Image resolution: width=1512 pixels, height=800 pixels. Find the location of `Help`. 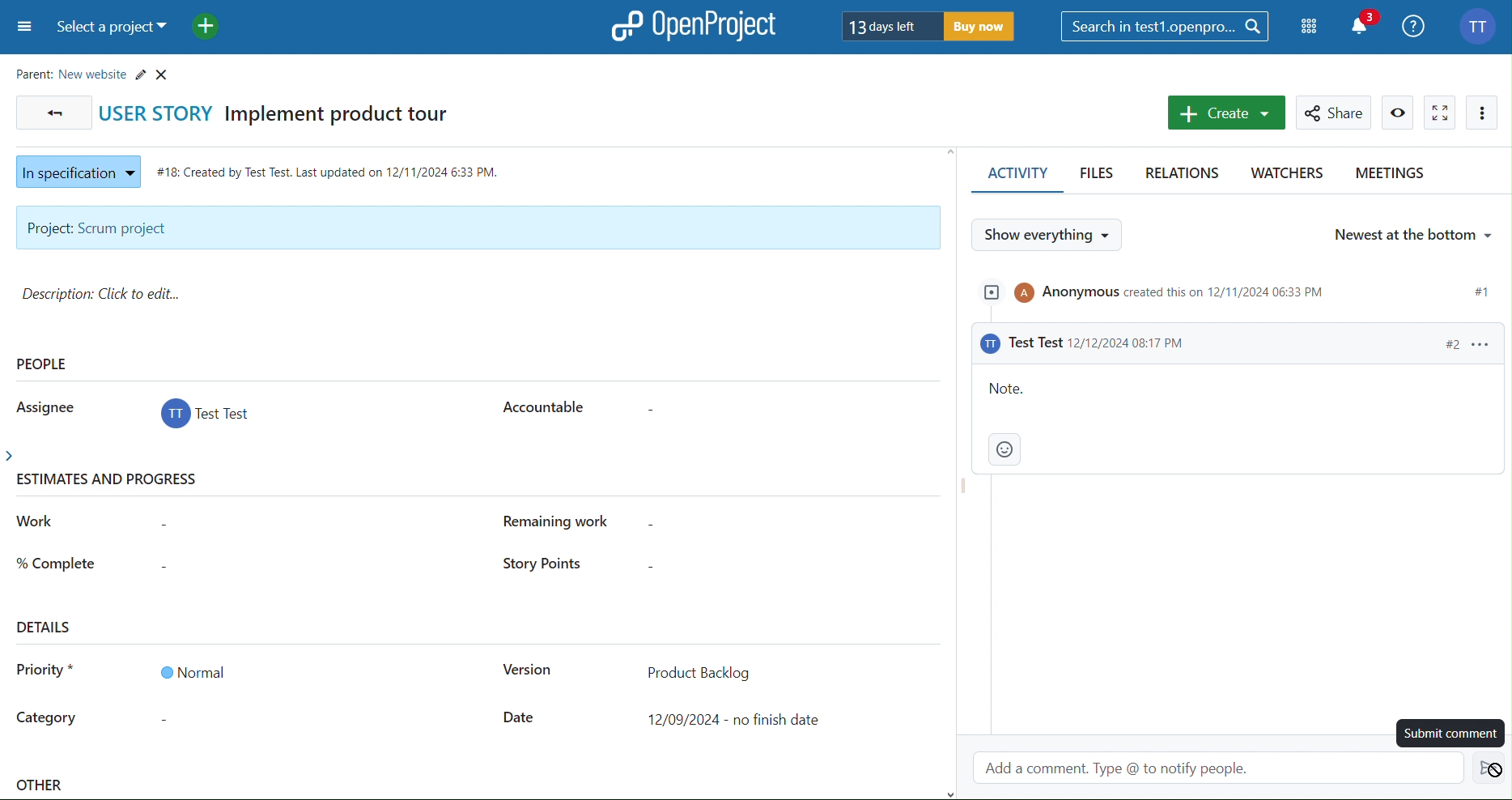

Help is located at coordinates (1415, 24).